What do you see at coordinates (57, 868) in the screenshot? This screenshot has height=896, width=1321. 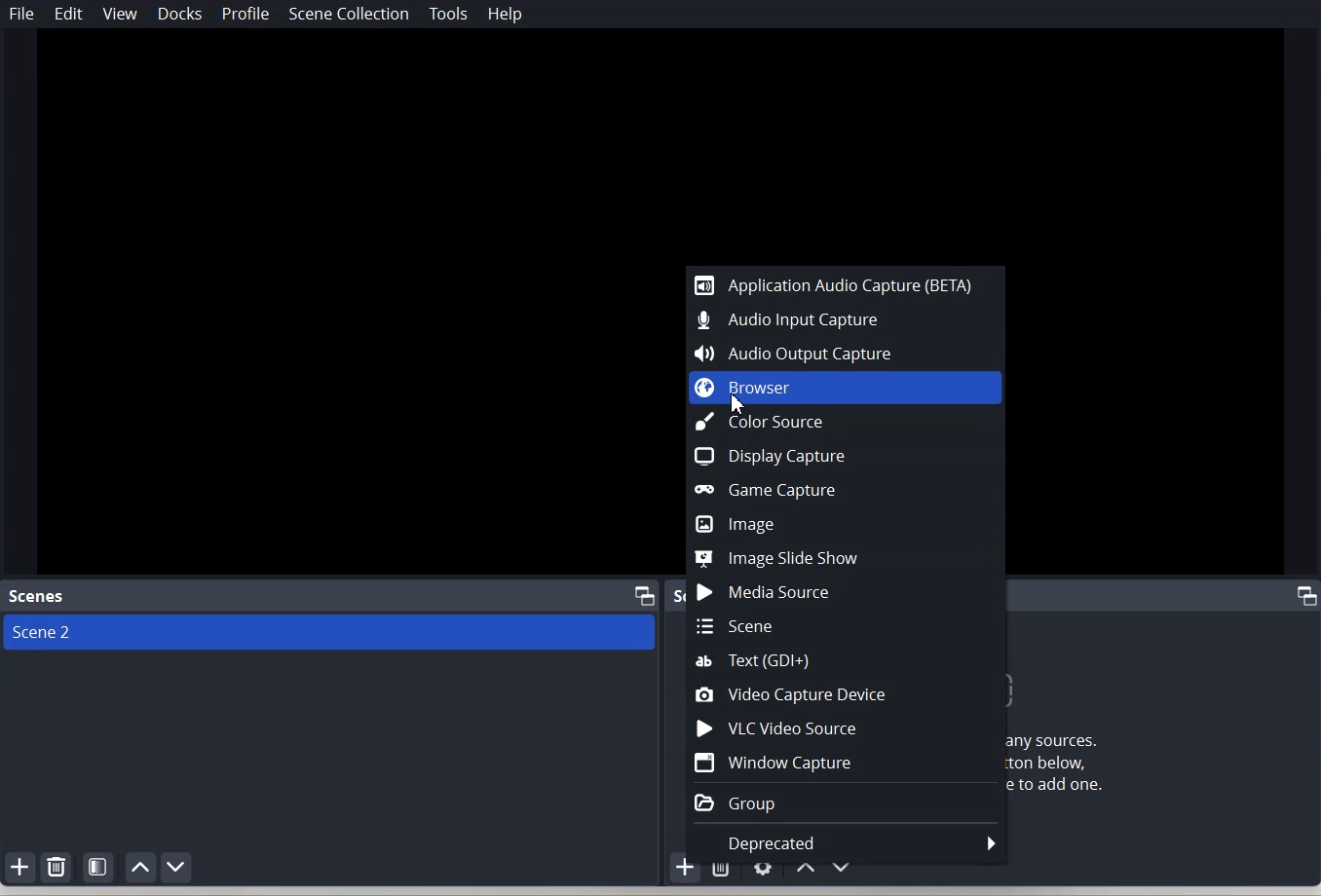 I see `Remove selected Scene` at bounding box center [57, 868].